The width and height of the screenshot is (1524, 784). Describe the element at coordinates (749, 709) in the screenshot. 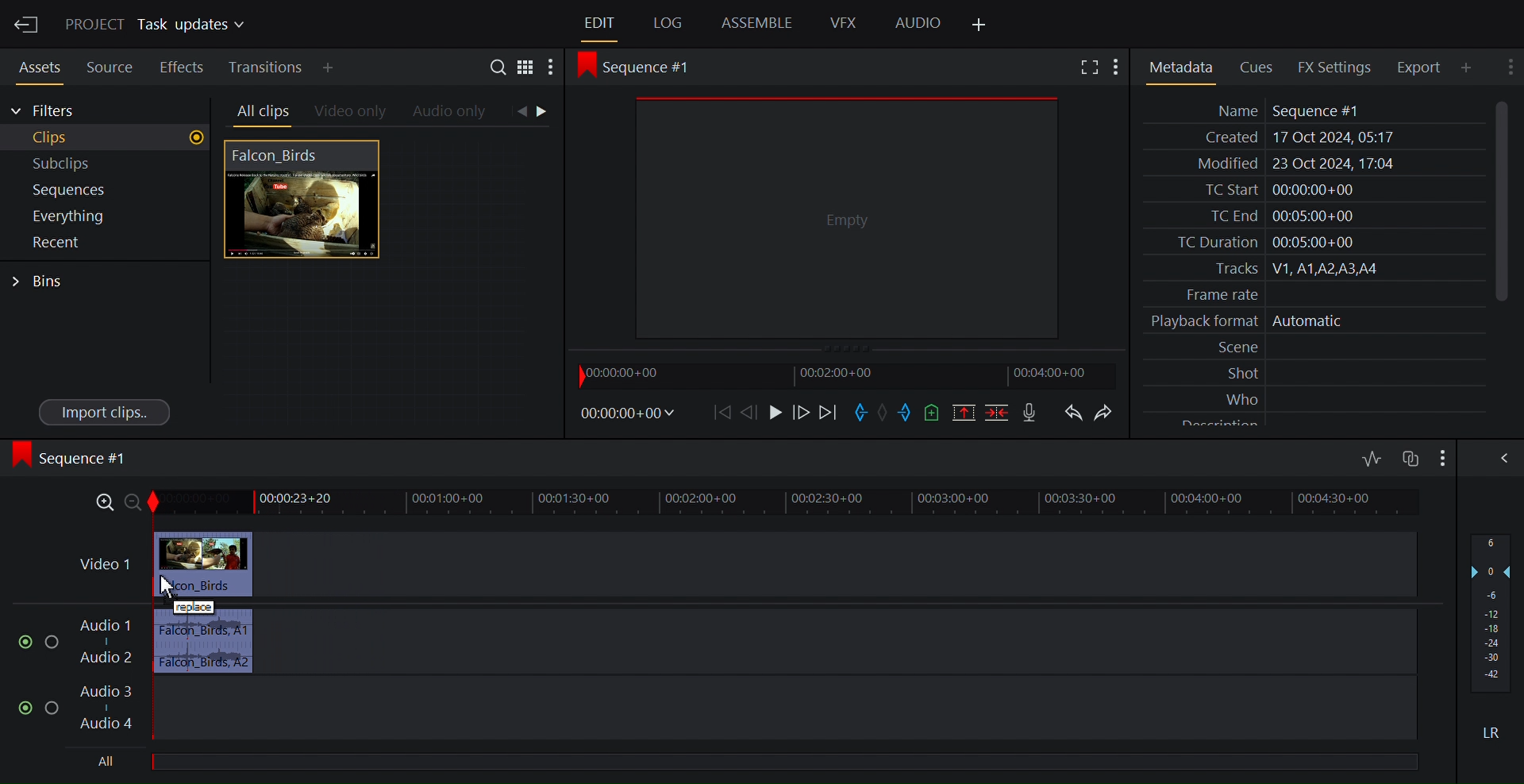

I see `Audio track 3, Audio track 4` at that location.